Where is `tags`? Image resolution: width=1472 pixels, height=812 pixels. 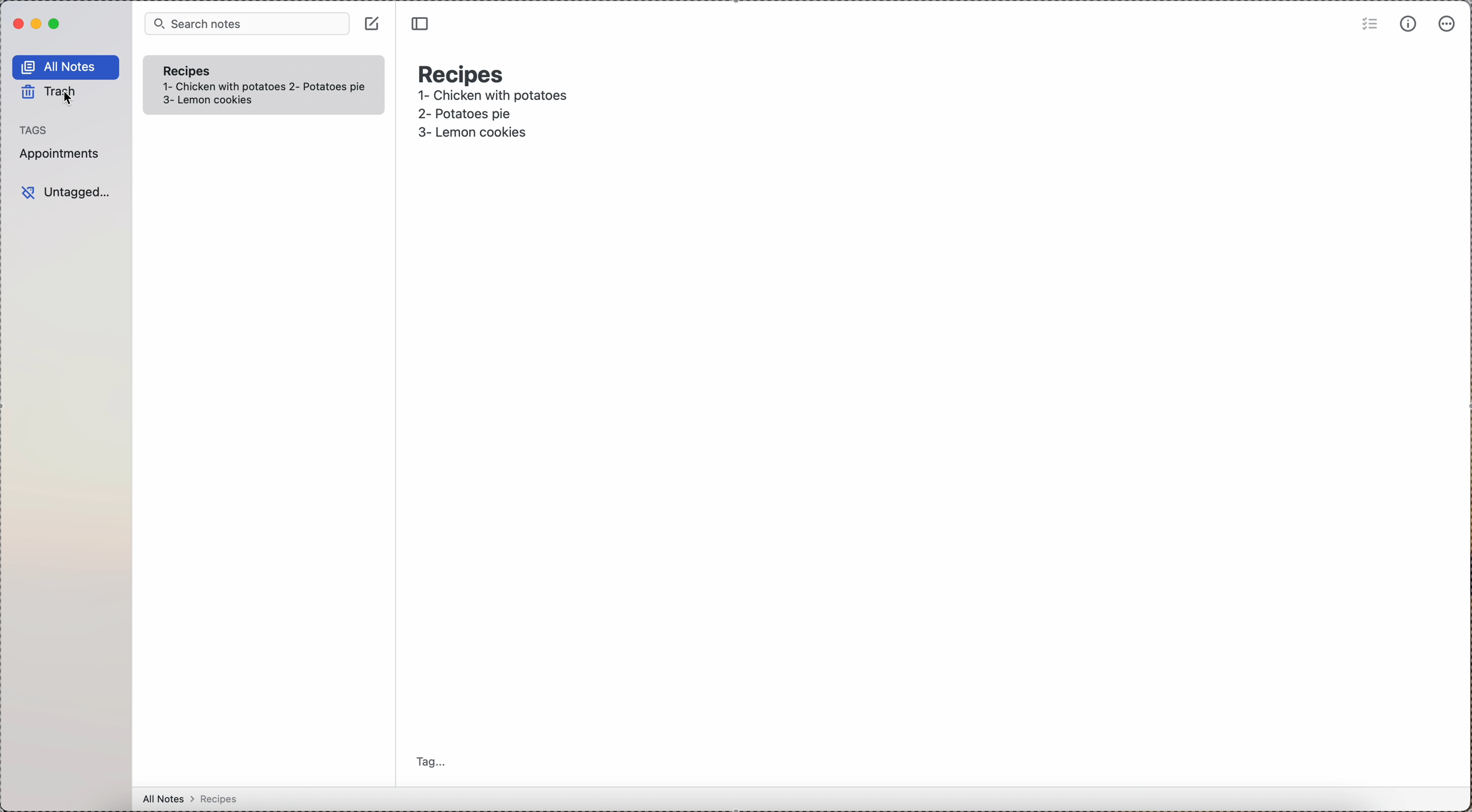
tags is located at coordinates (38, 130).